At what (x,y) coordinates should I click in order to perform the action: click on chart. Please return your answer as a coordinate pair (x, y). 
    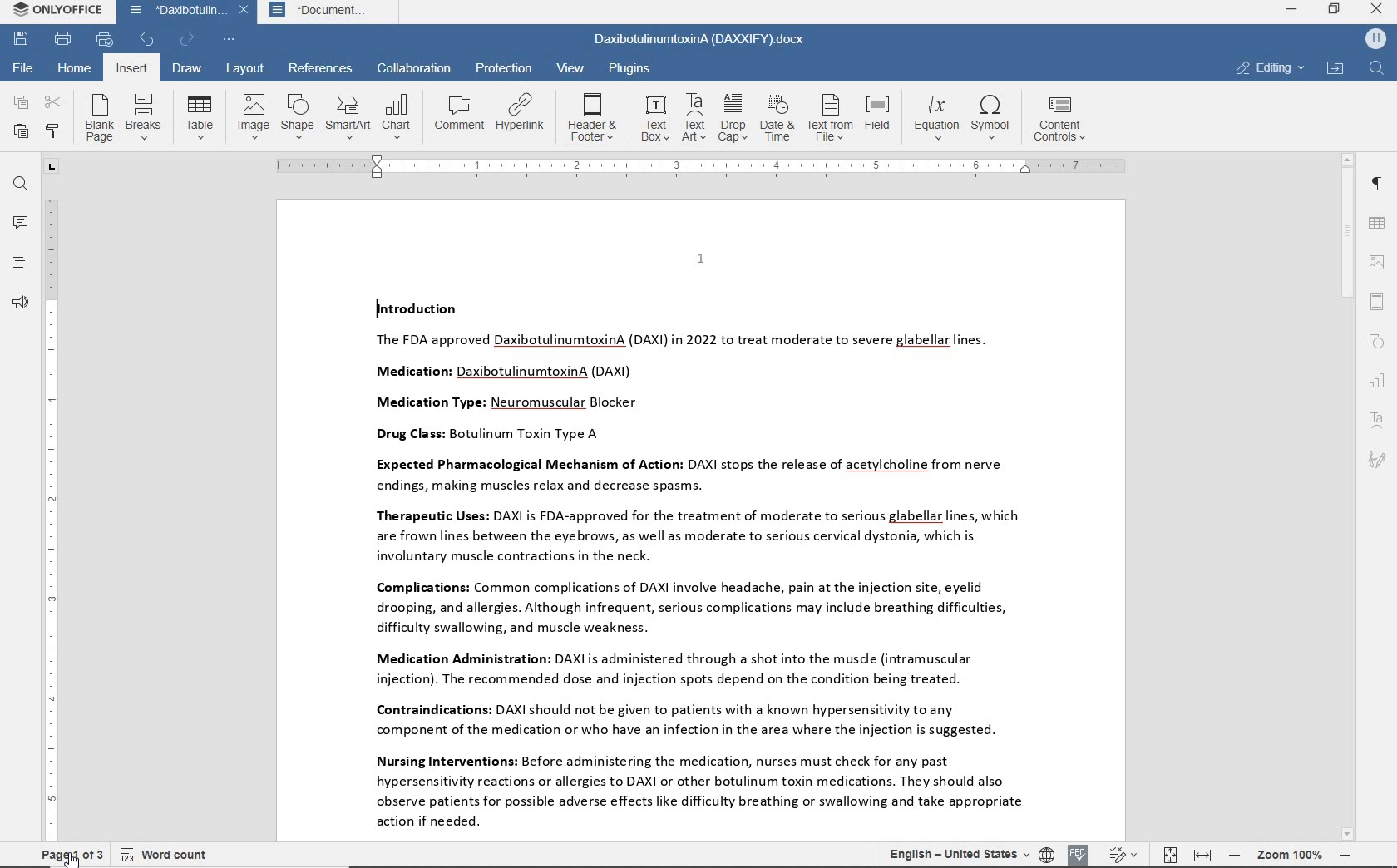
    Looking at the image, I should click on (397, 116).